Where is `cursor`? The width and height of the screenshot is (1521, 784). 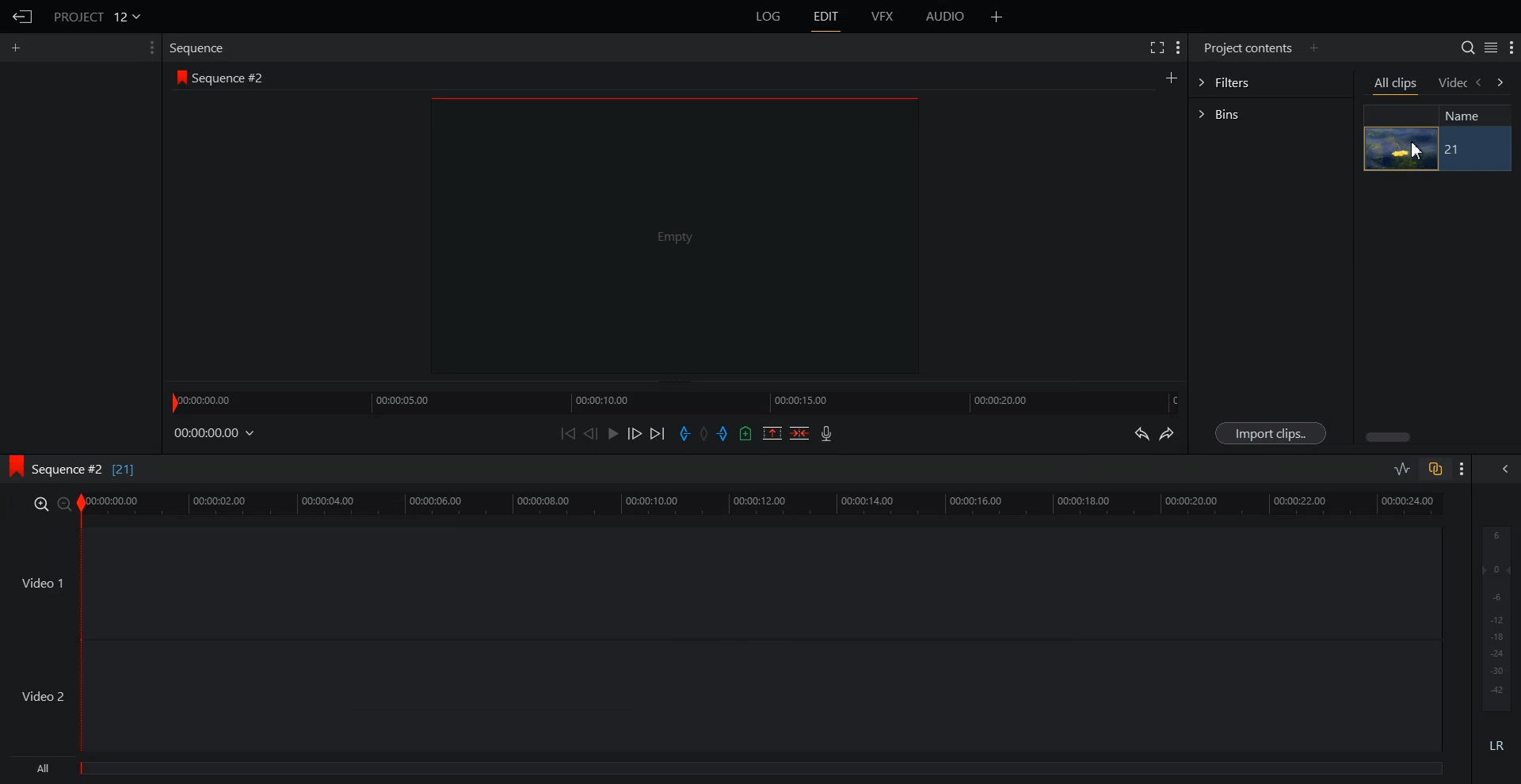
cursor is located at coordinates (1416, 150).